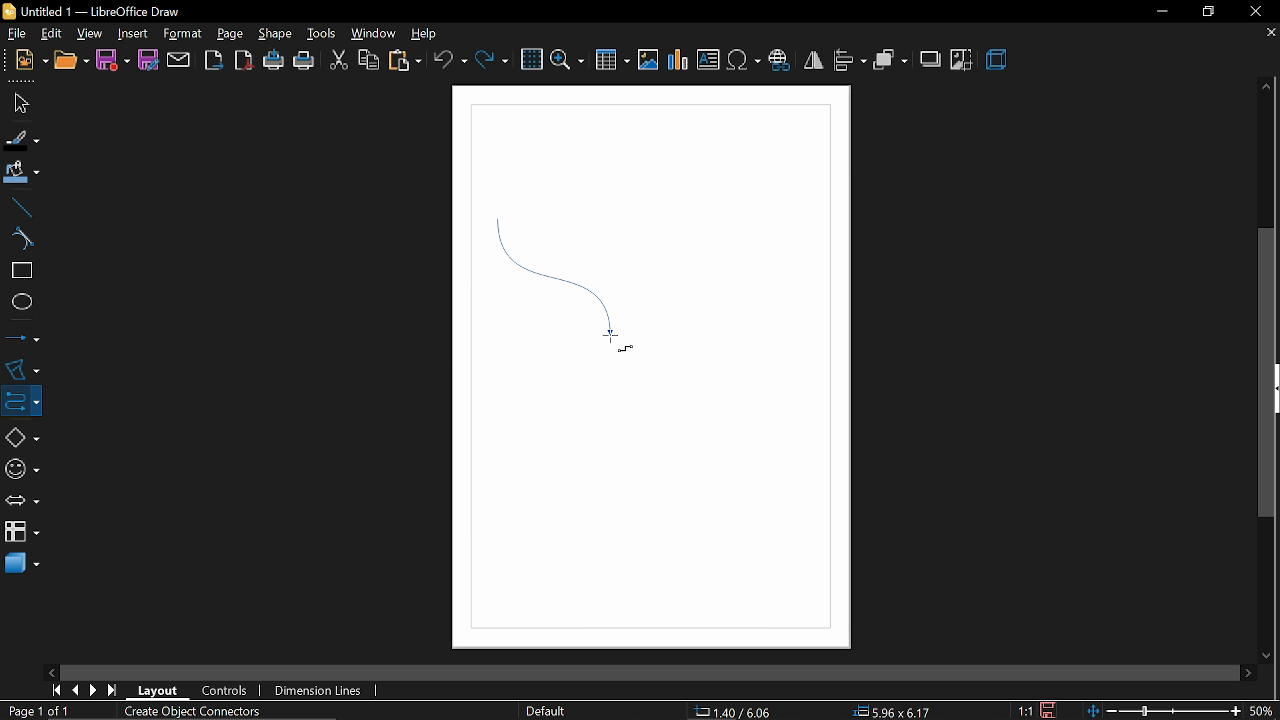  I want to click on open, so click(69, 62).